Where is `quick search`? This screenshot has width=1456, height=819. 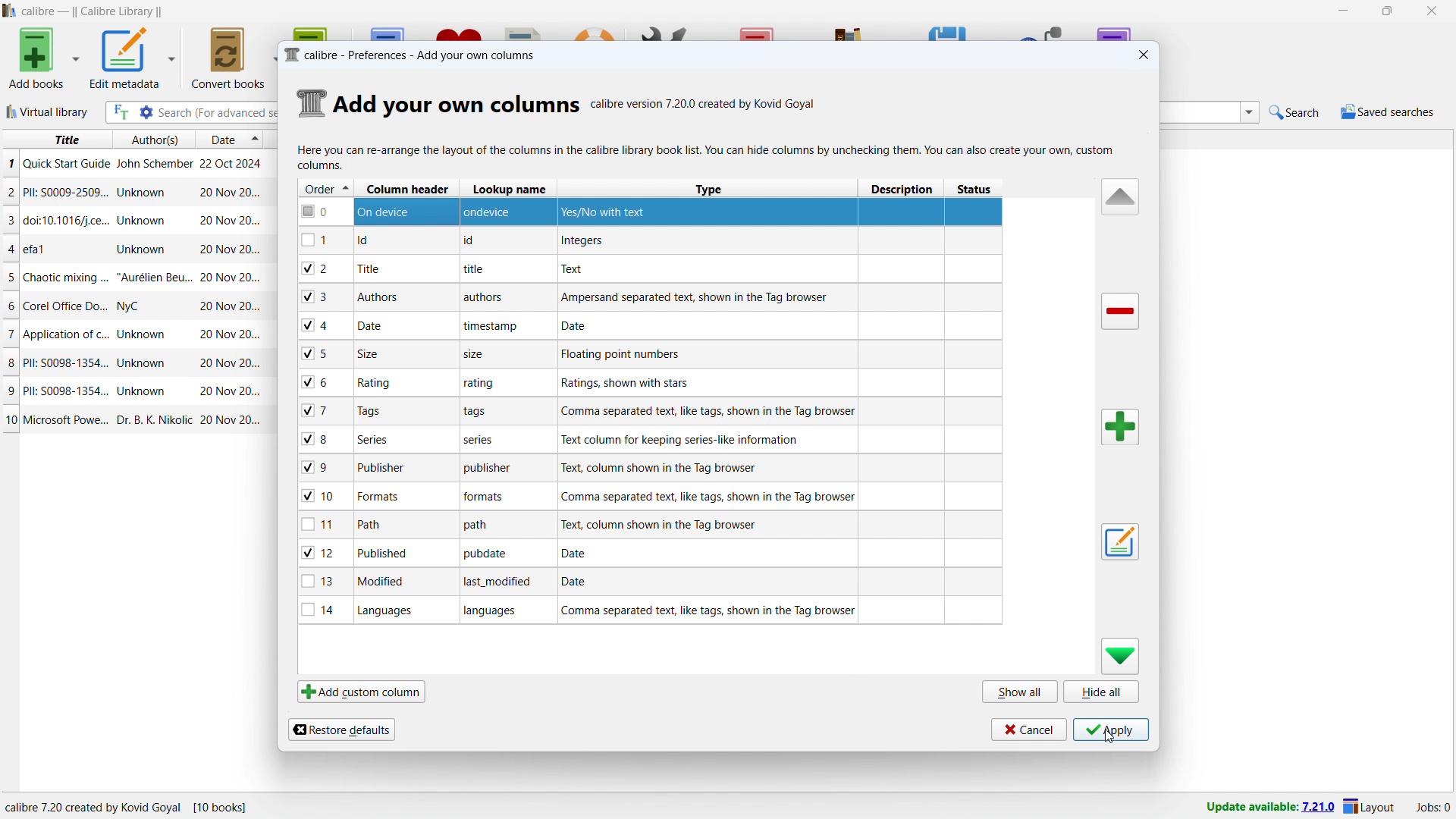 quick search is located at coordinates (1295, 111).